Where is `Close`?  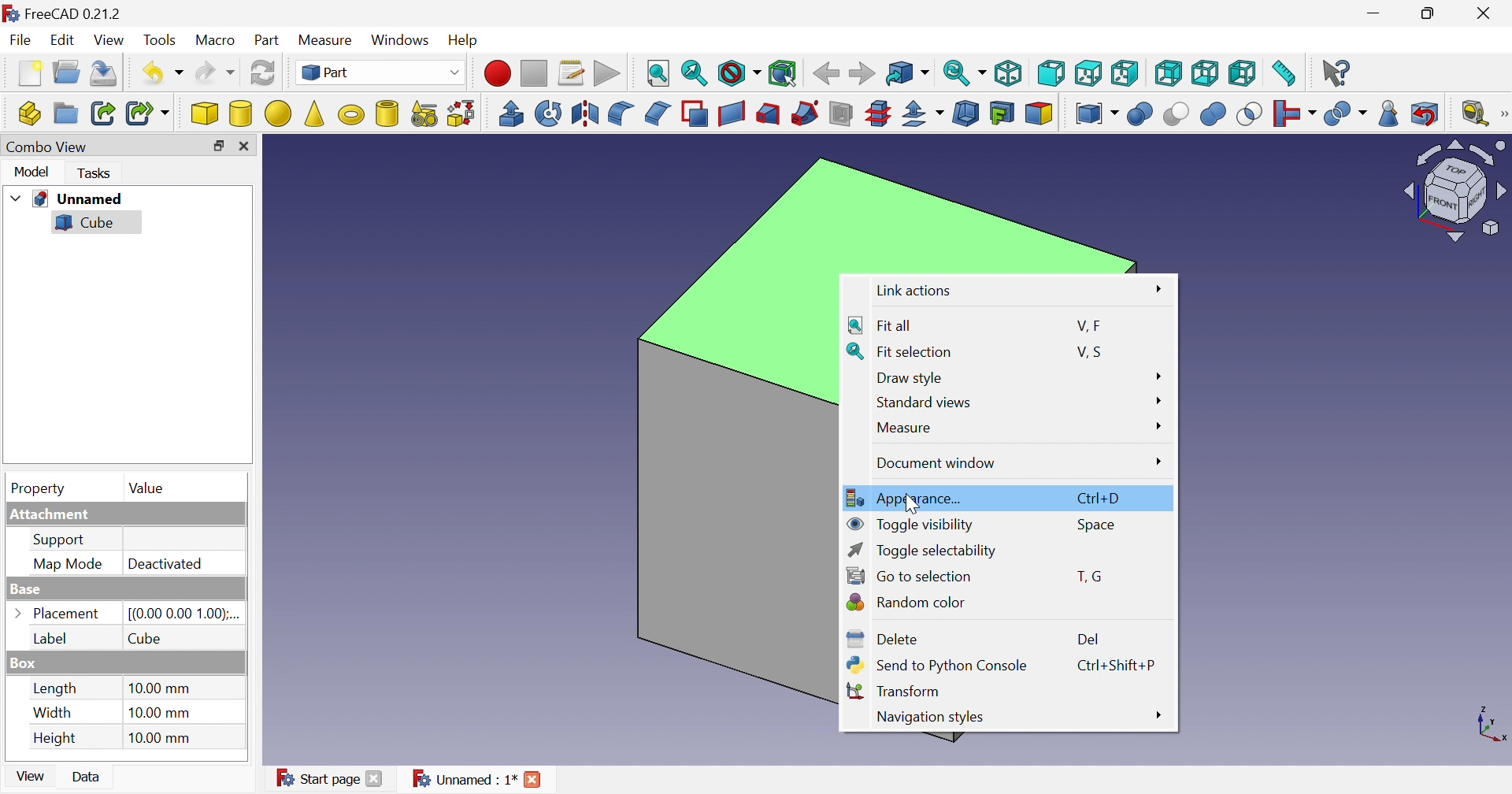
Close is located at coordinates (1486, 13).